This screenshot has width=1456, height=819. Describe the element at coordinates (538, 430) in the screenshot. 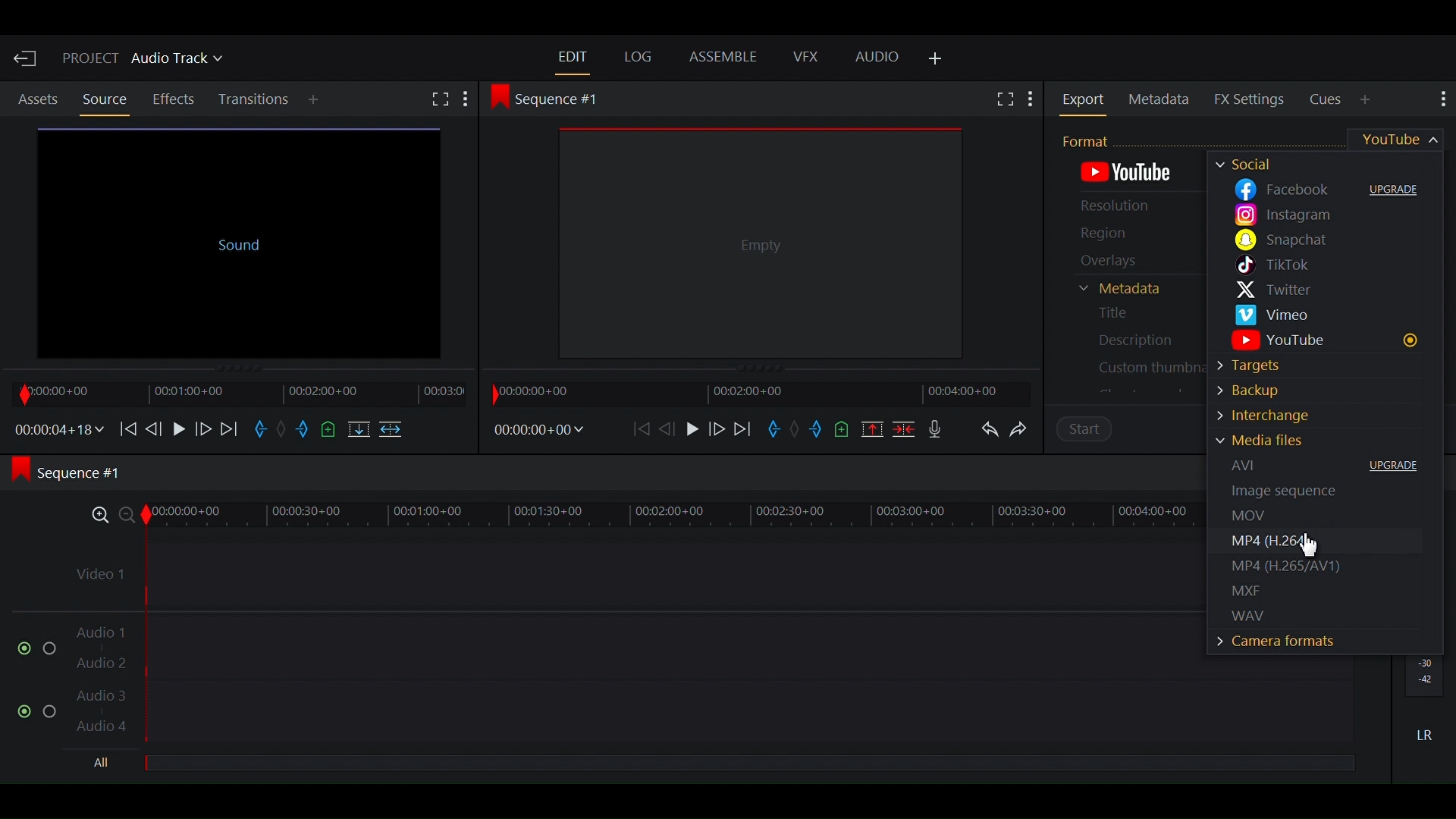

I see `Timecodes and reels` at that location.